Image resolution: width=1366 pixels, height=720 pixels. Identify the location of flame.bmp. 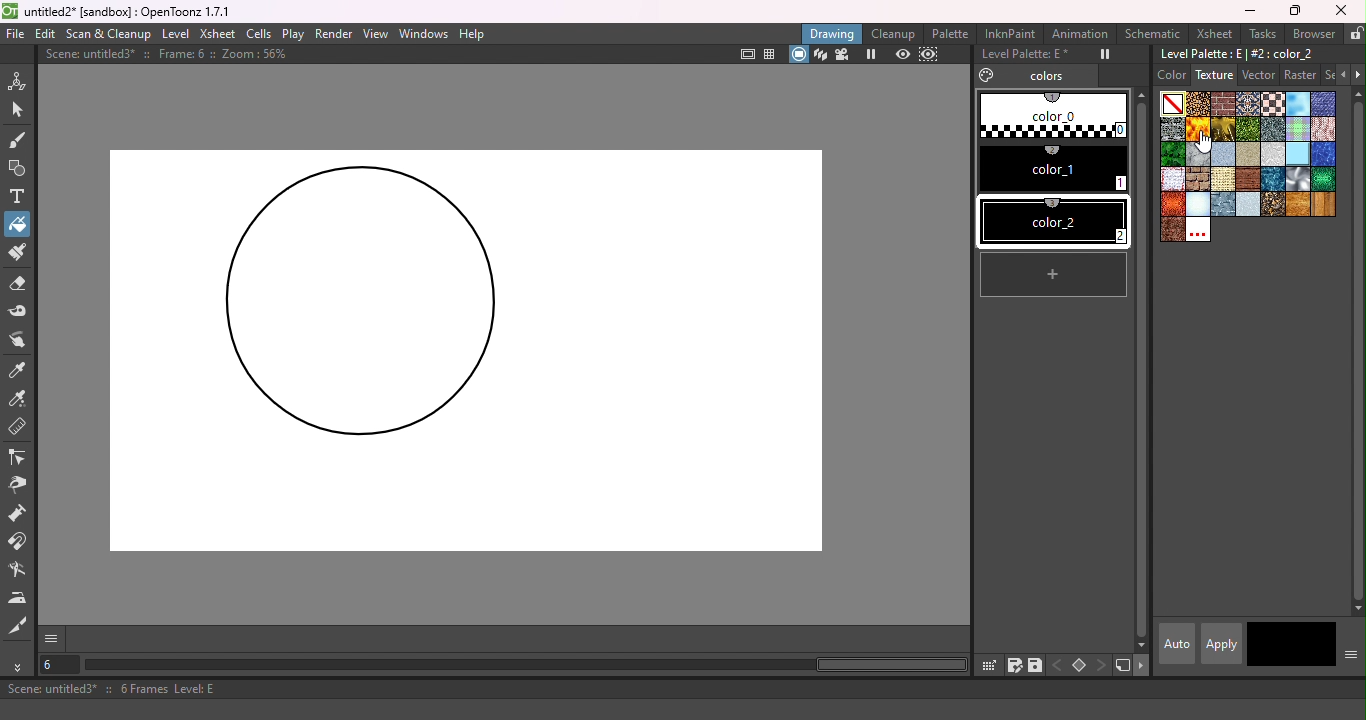
(1198, 129).